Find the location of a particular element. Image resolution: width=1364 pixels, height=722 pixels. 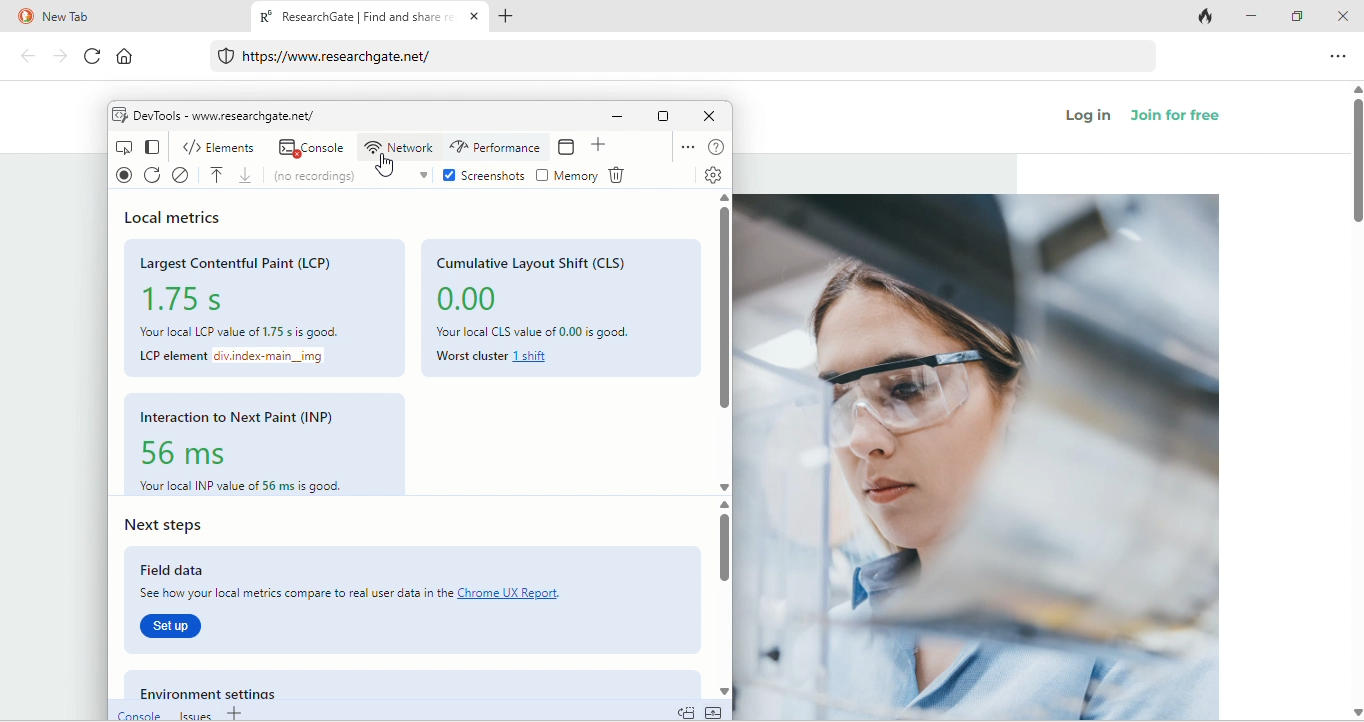

unload is located at coordinates (252, 175).